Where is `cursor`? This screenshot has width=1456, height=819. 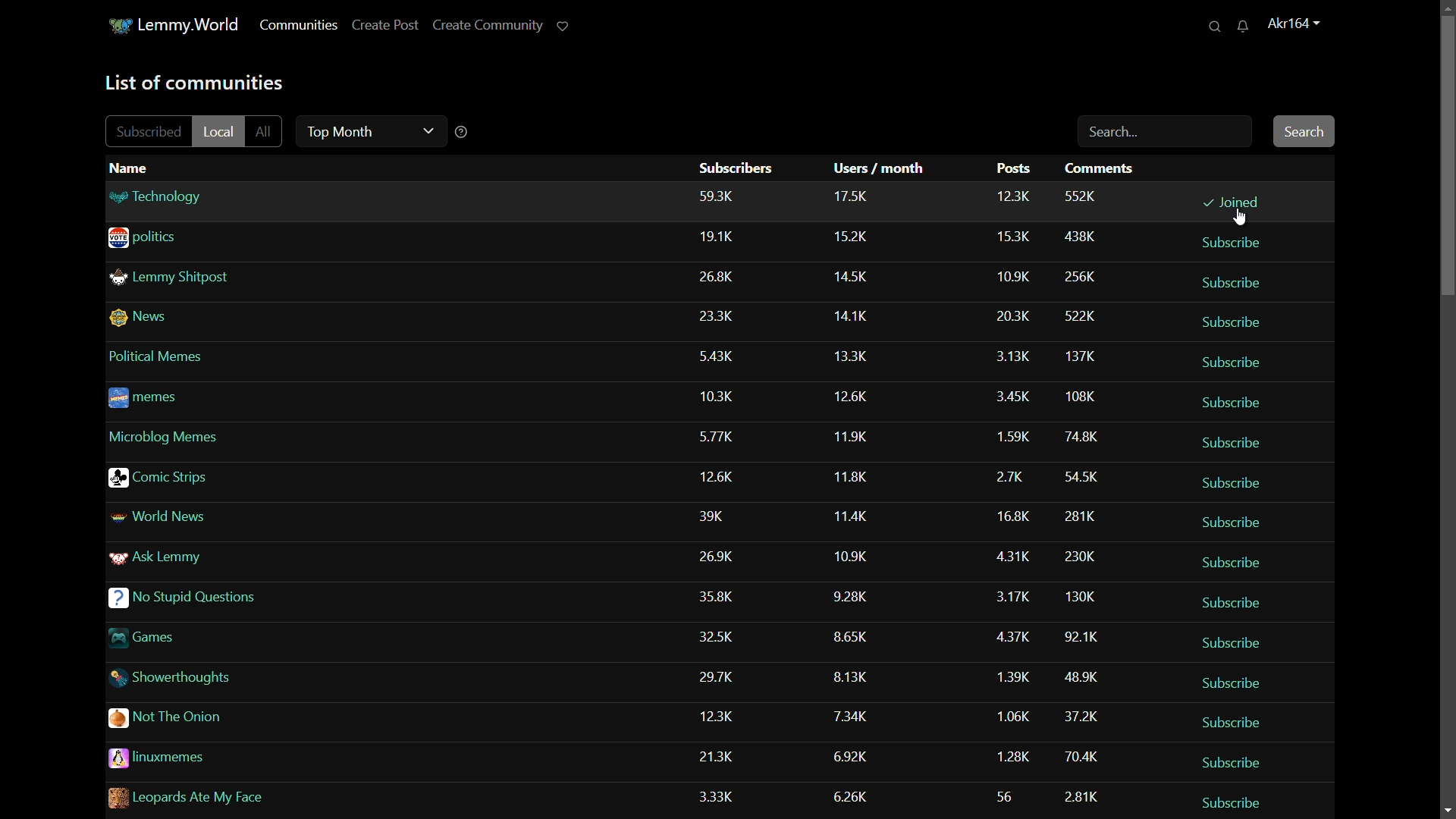
cursor is located at coordinates (1239, 220).